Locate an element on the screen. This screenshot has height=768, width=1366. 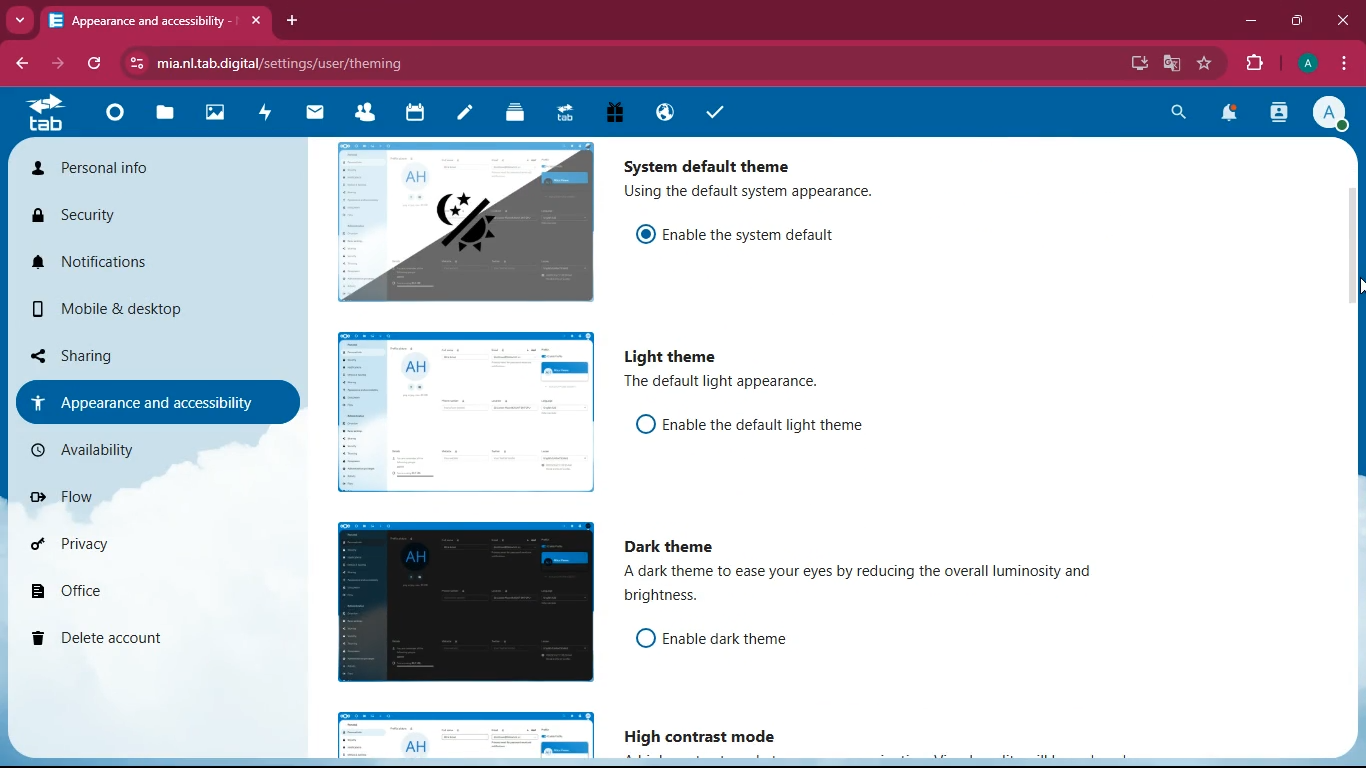
tab is located at coordinates (563, 111).